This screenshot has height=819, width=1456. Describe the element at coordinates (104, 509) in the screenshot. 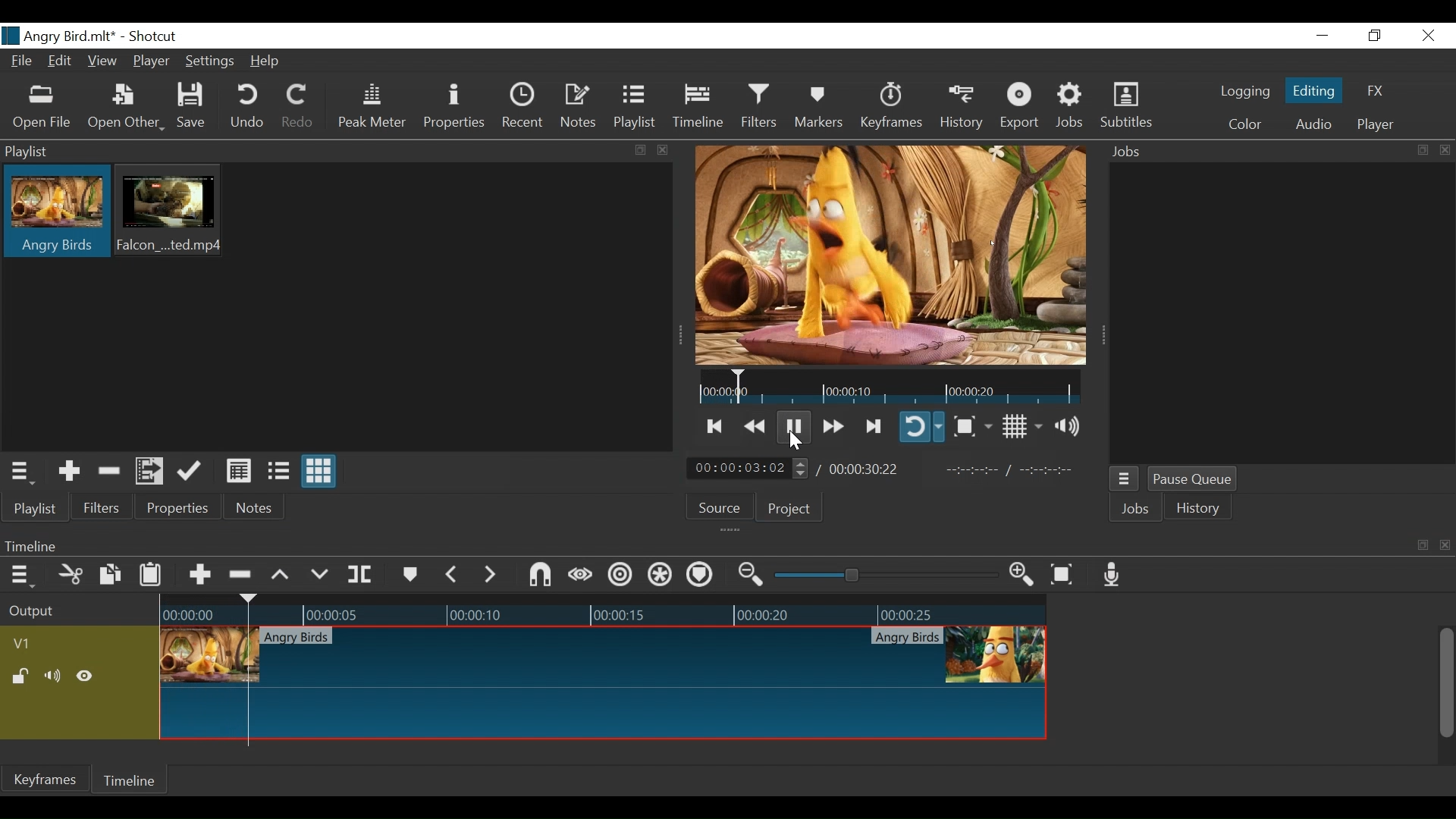

I see `Filters` at that location.